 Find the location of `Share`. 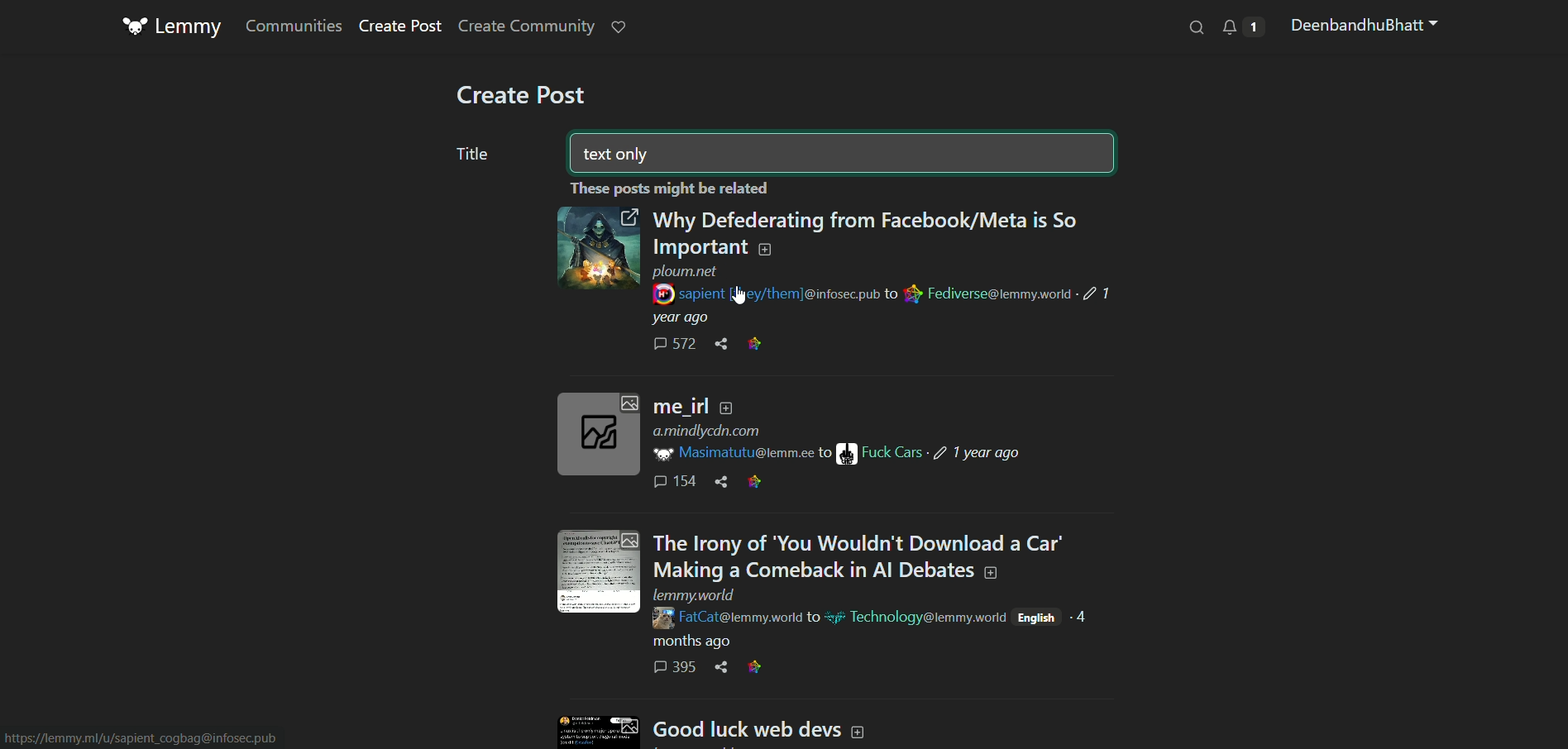

Share is located at coordinates (720, 666).